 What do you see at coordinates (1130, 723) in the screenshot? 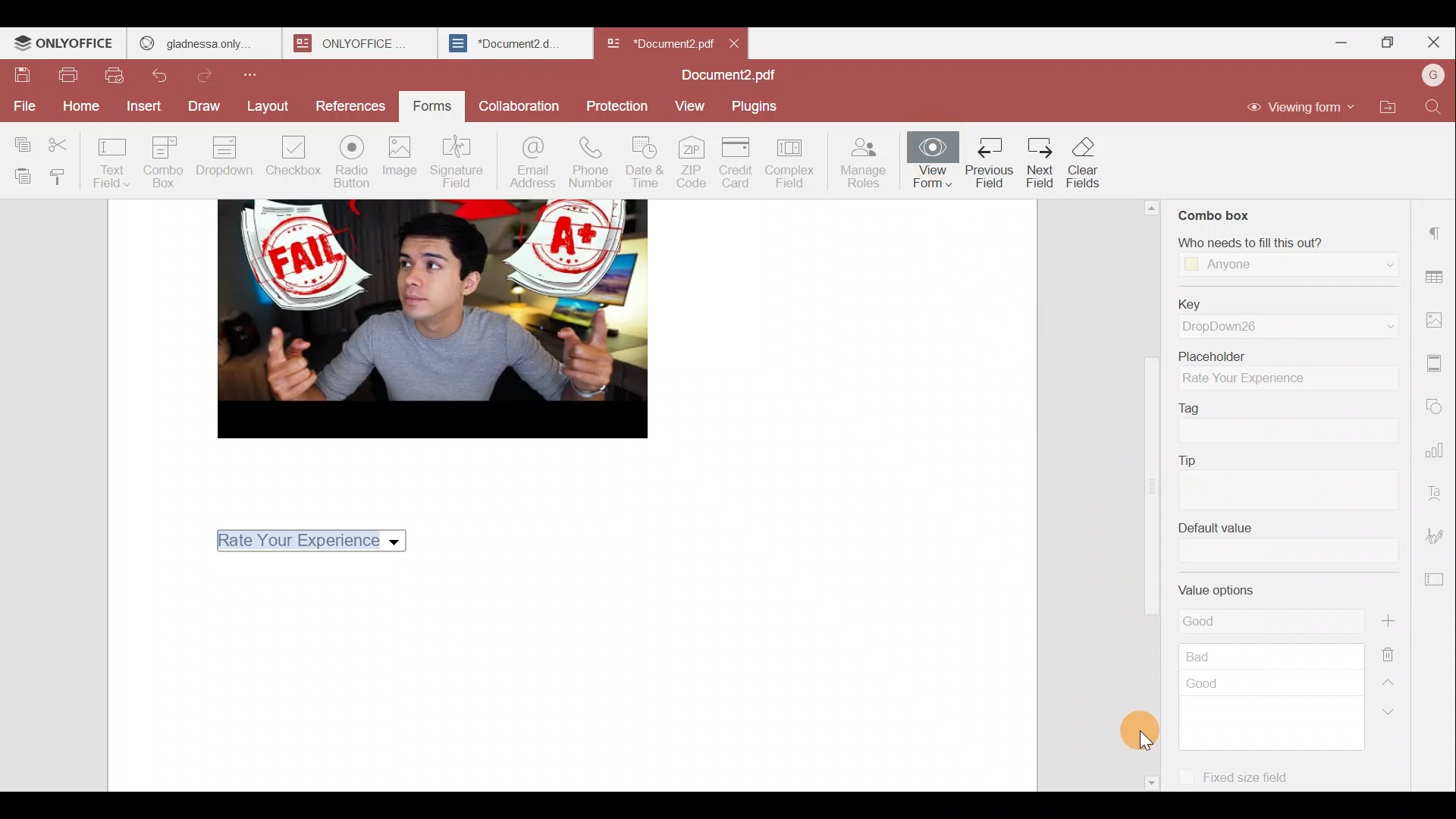
I see `Cursor` at bounding box center [1130, 723].